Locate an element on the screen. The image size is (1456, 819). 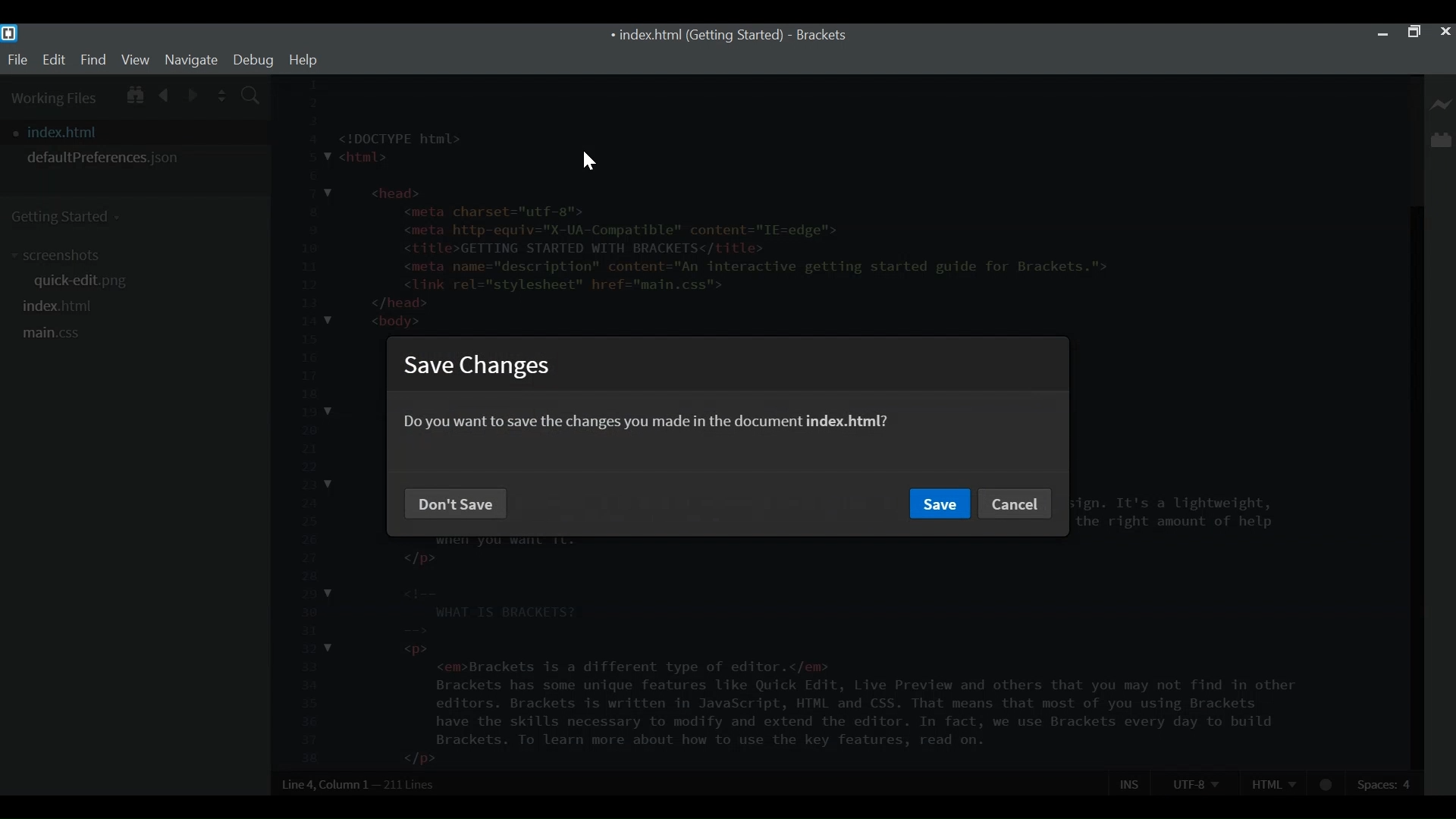
line number is located at coordinates (306, 422).